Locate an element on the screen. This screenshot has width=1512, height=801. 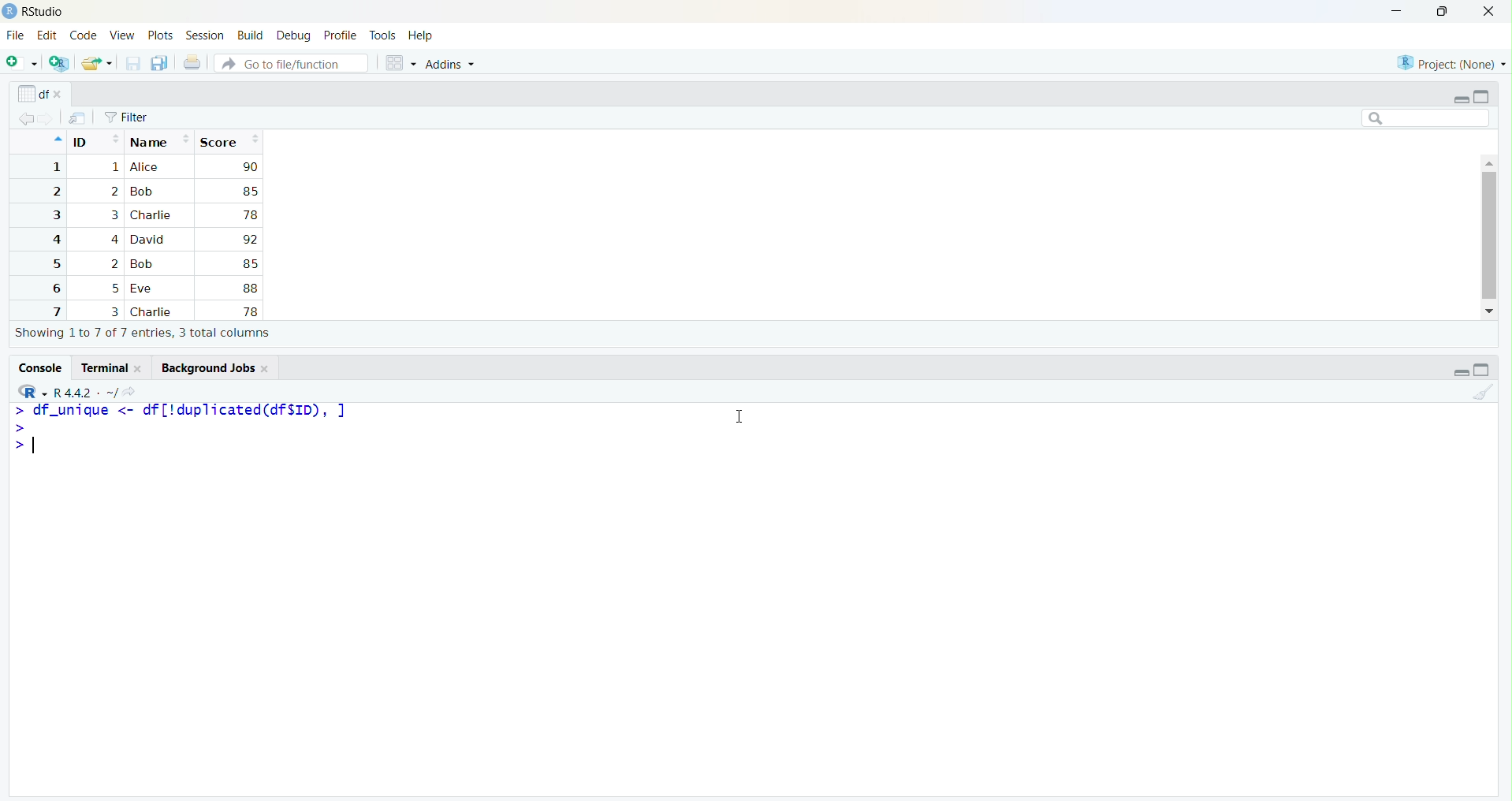
92 is located at coordinates (249, 240).